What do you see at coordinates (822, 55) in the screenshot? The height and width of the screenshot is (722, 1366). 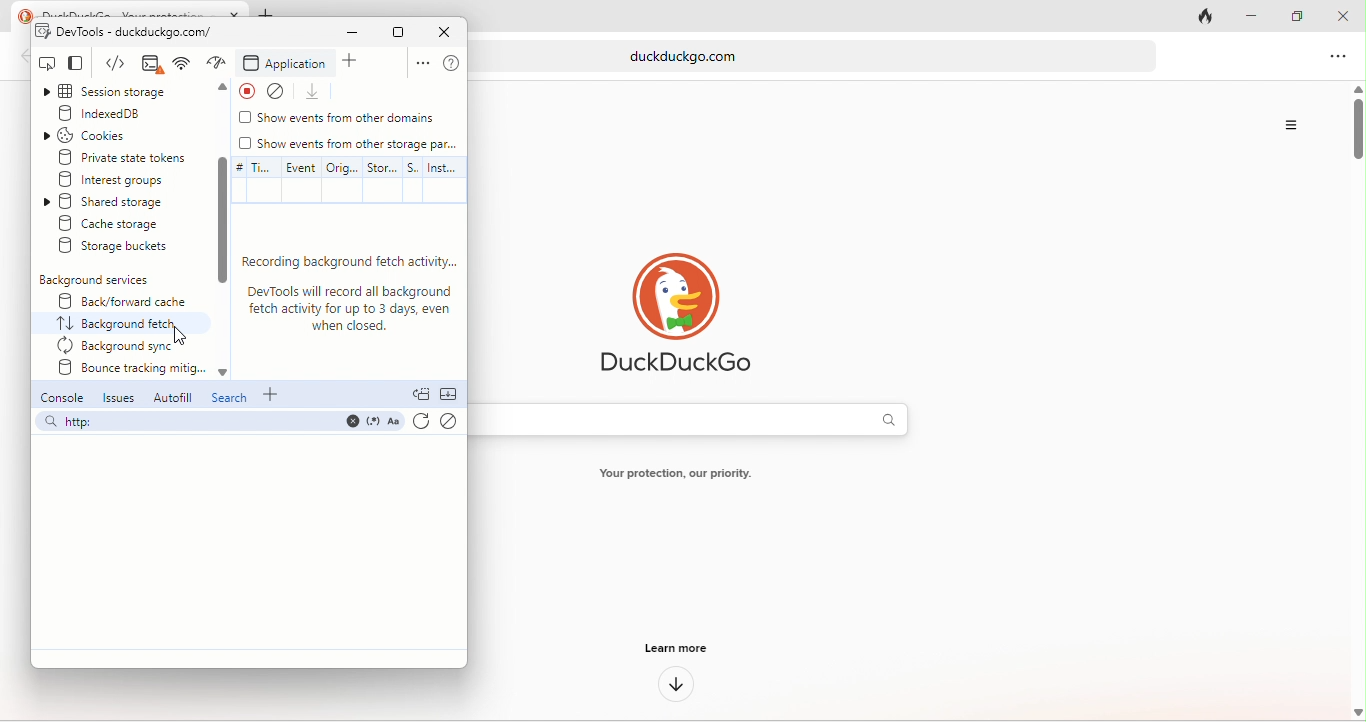 I see `web link` at bounding box center [822, 55].